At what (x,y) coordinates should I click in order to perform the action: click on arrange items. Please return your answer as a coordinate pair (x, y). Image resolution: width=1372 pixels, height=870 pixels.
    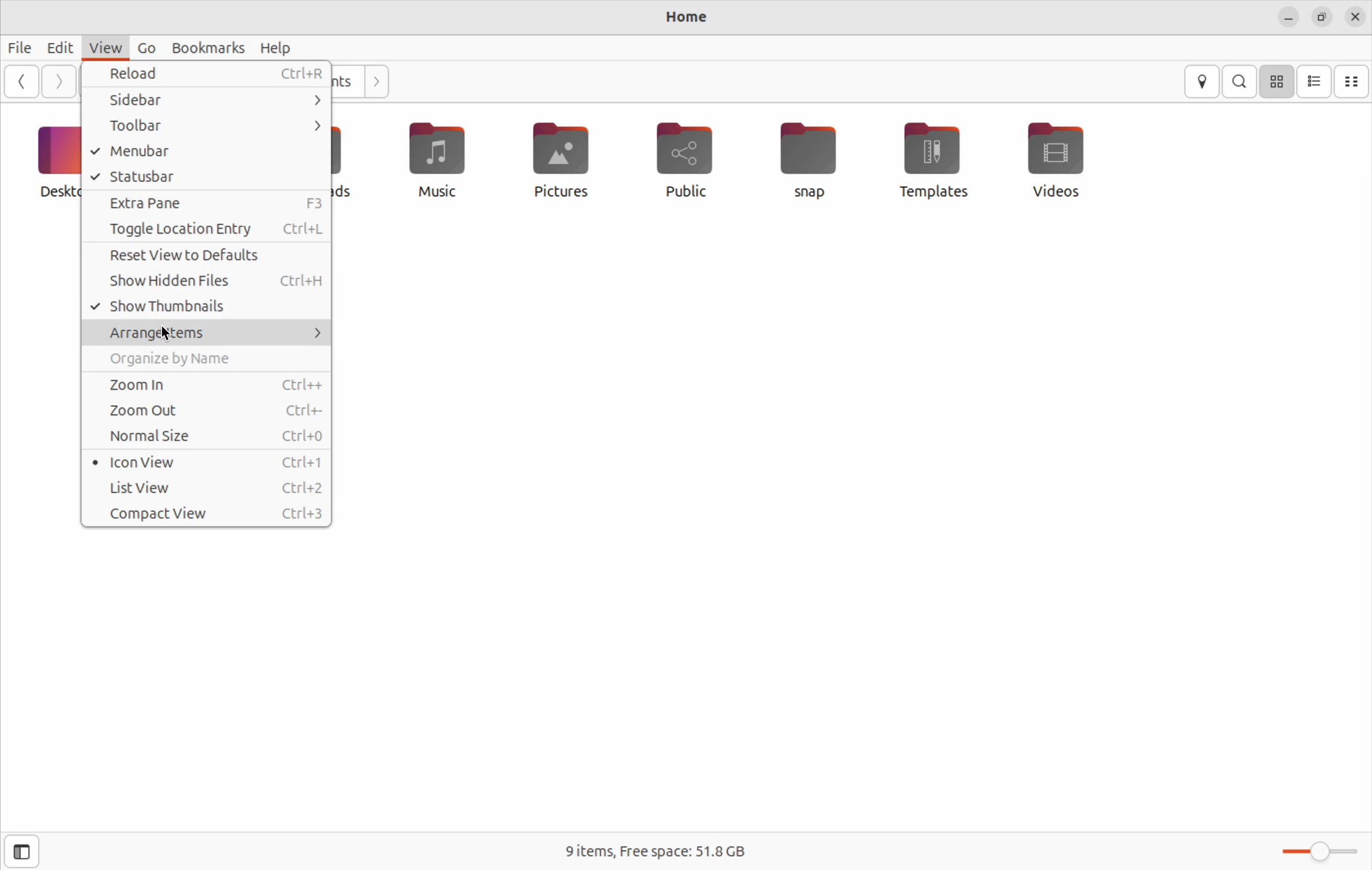
    Looking at the image, I should click on (205, 330).